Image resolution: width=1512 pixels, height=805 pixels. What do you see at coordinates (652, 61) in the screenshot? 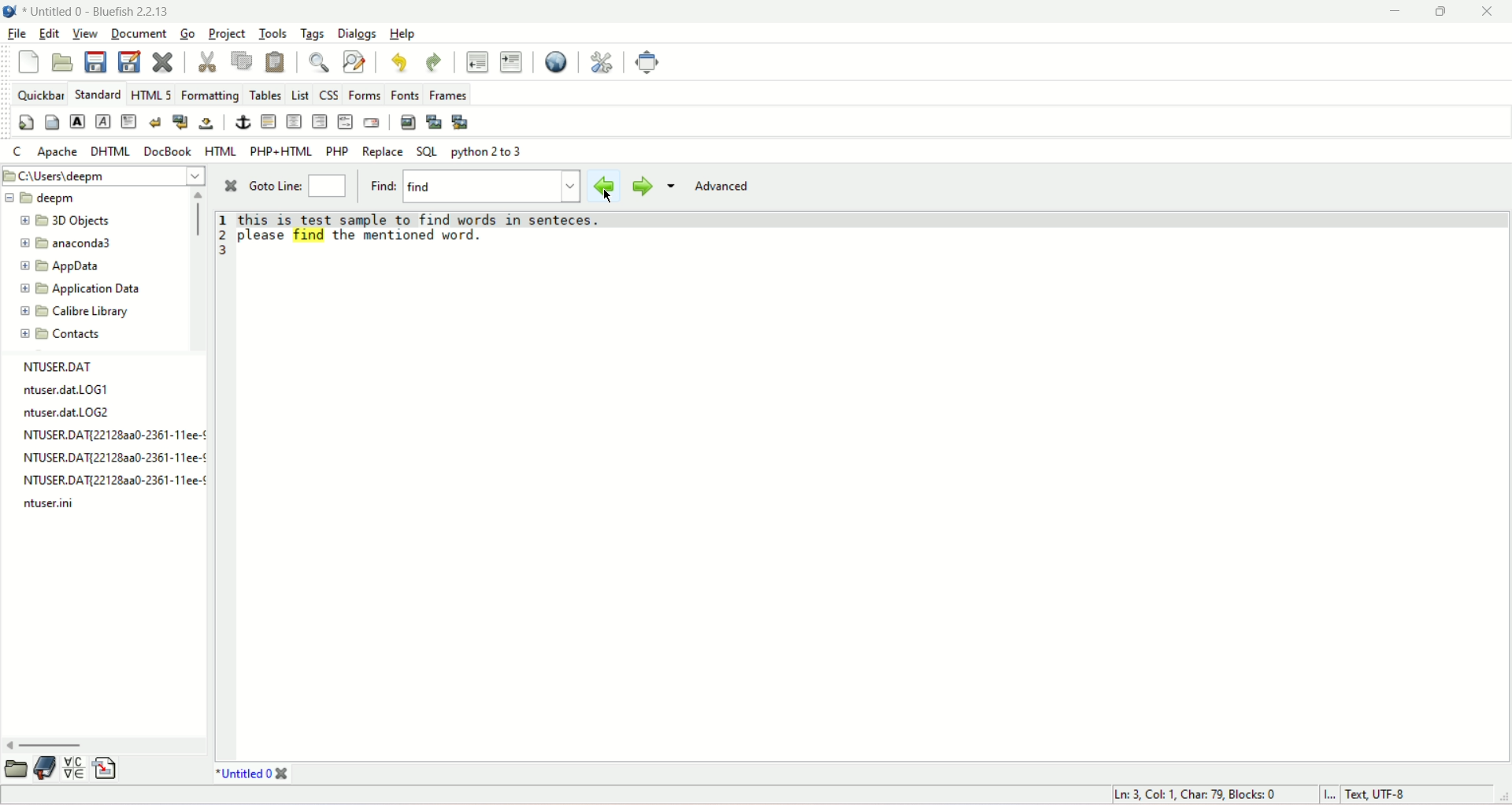
I see `fullscreen` at bounding box center [652, 61].